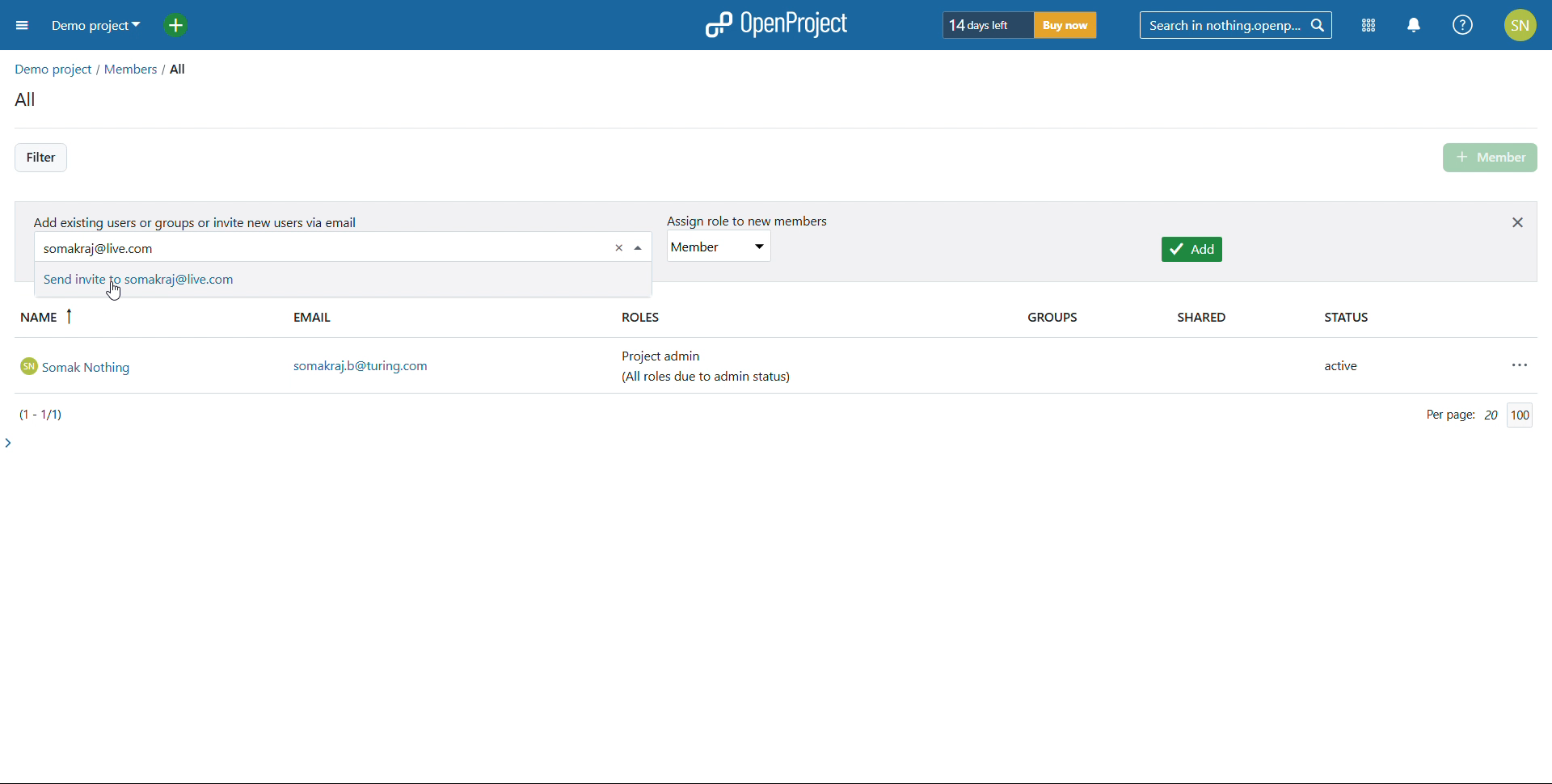 The height and width of the screenshot is (784, 1552). Describe the element at coordinates (1477, 415) in the screenshot. I see `per page 20/200` at that location.